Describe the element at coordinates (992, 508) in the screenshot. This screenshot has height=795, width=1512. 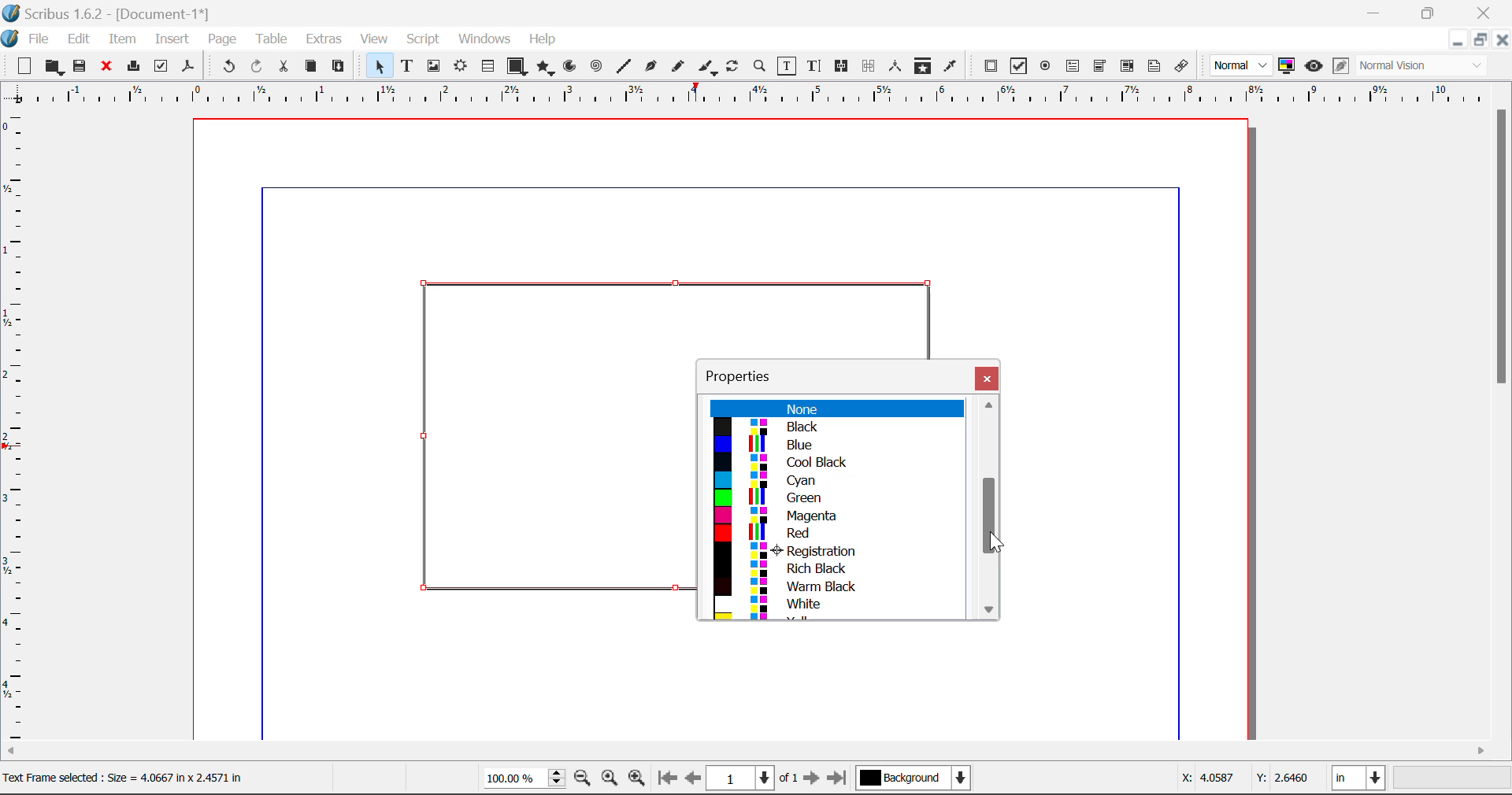
I see `Scroll Bar` at that location.